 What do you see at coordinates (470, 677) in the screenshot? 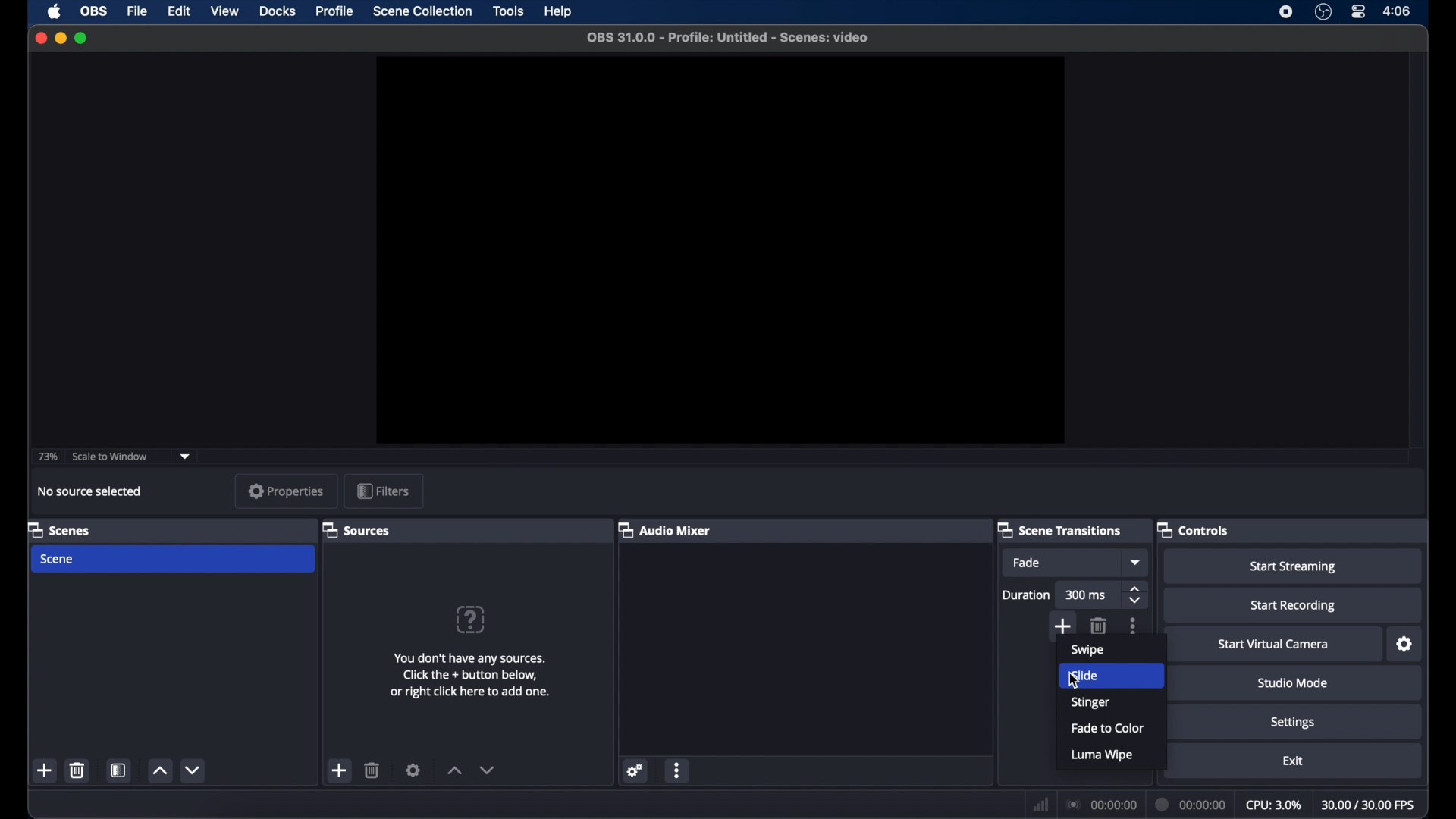
I see `info` at bounding box center [470, 677].